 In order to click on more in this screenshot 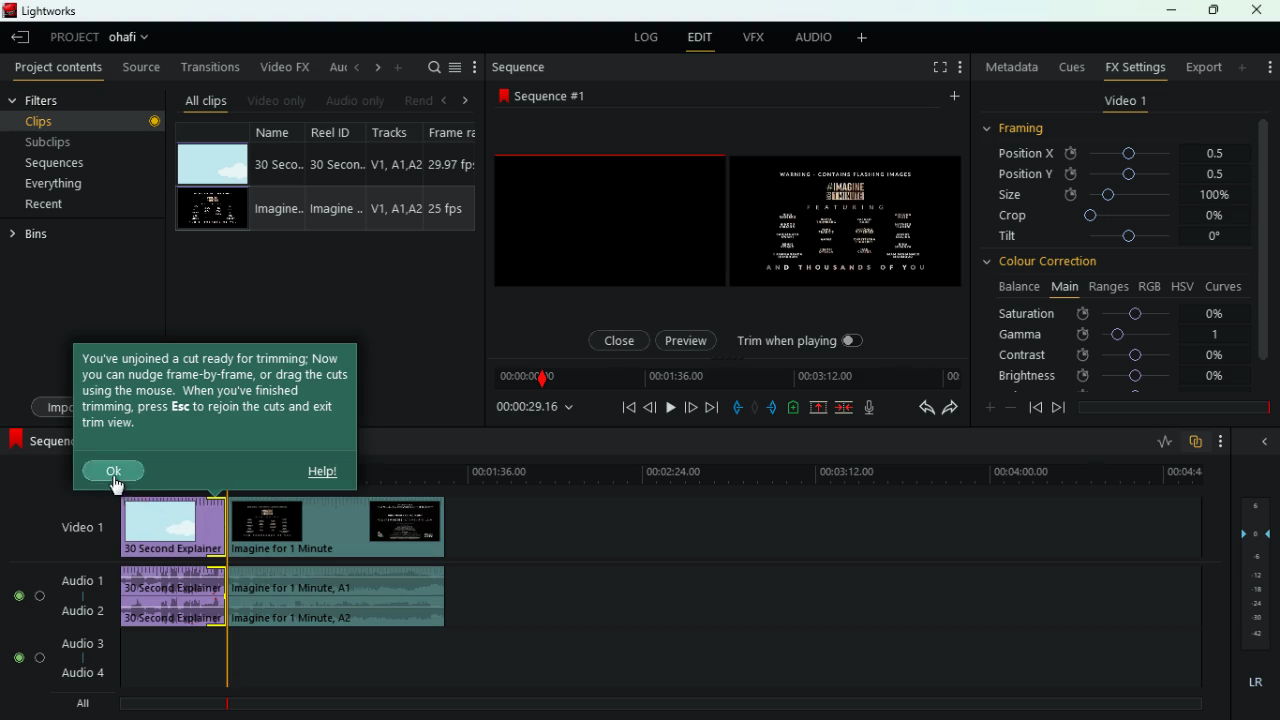, I will do `click(1267, 62)`.